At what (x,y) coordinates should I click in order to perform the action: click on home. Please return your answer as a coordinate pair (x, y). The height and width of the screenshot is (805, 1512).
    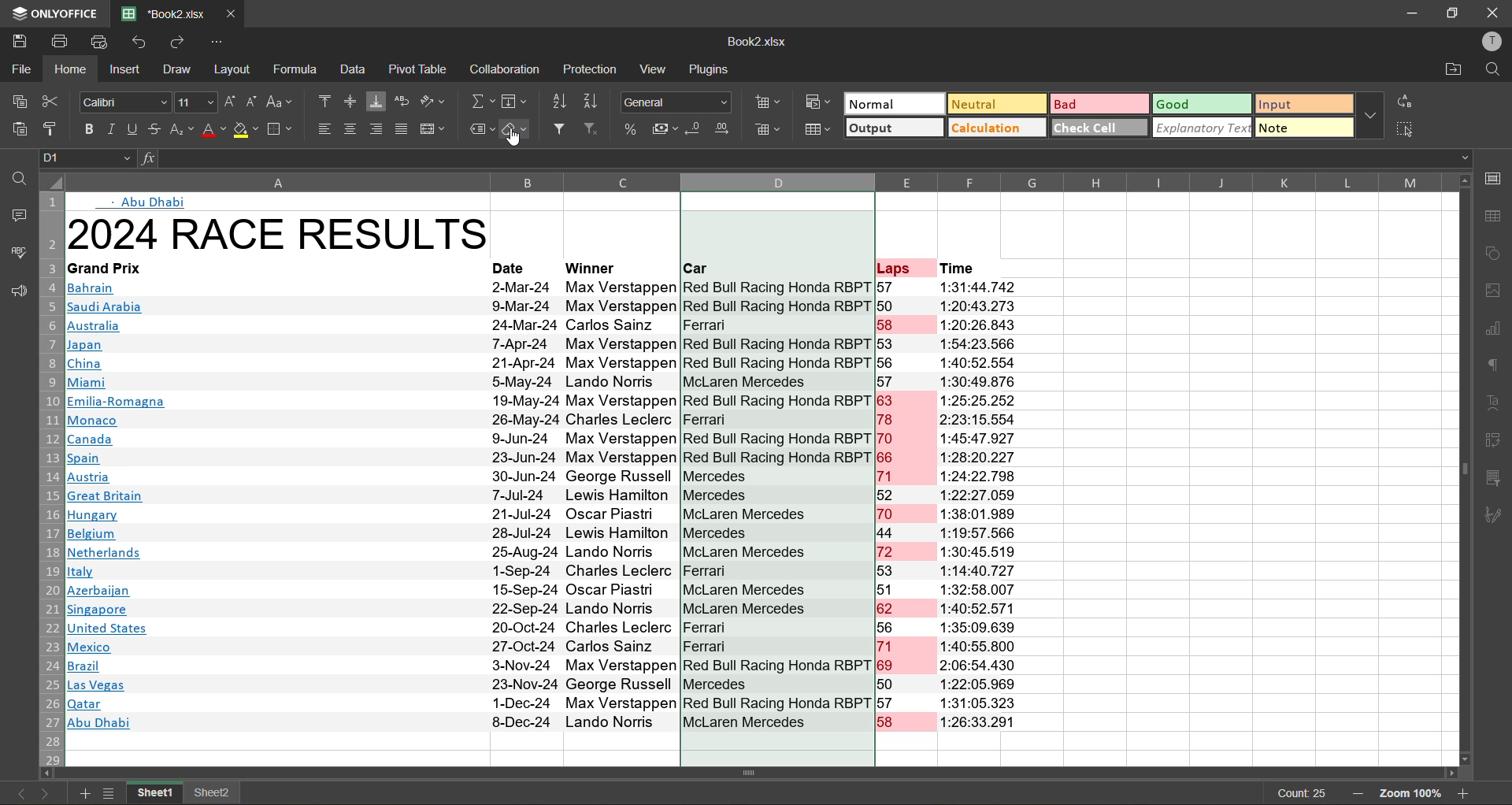
    Looking at the image, I should click on (72, 69).